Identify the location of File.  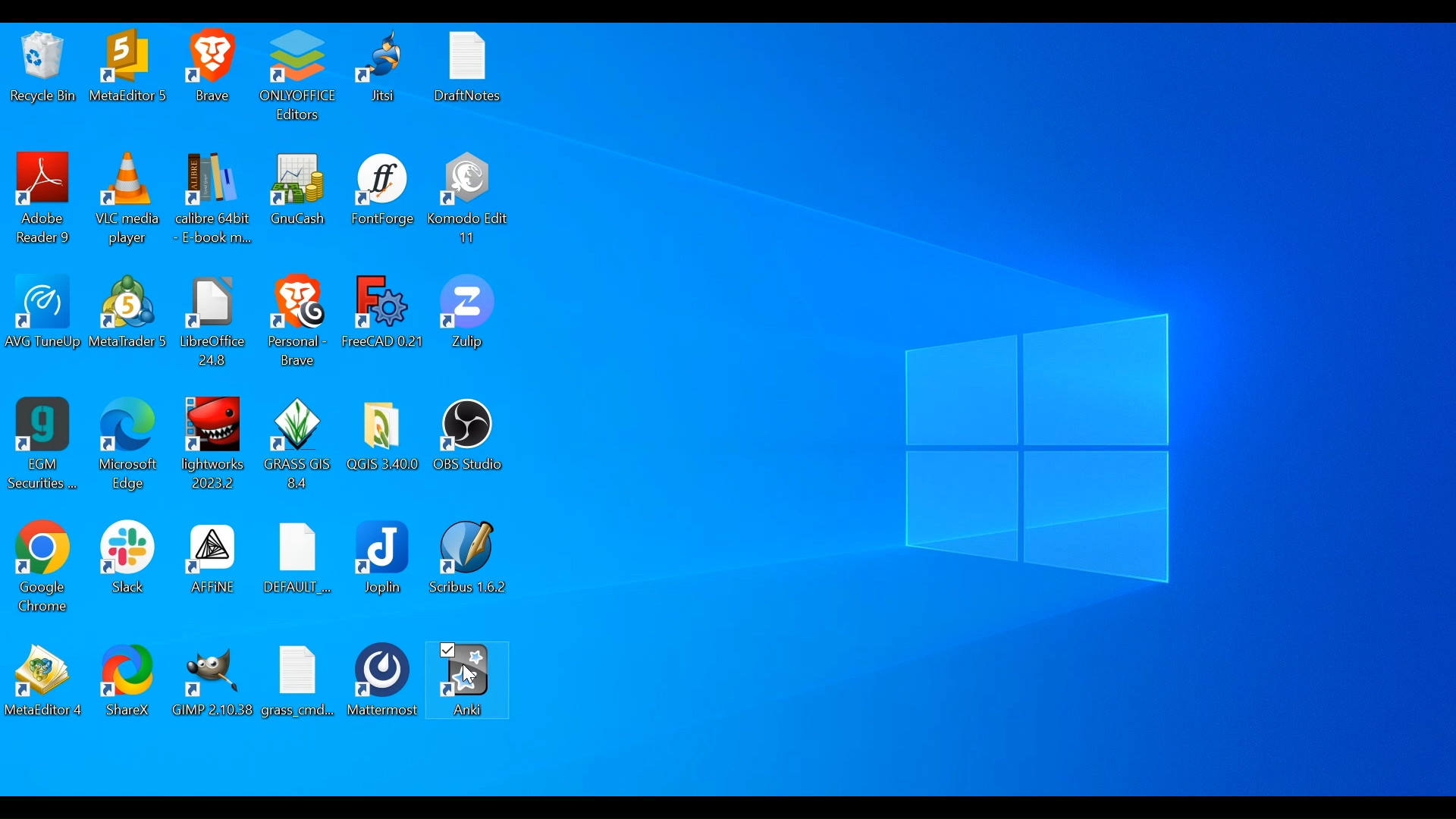
(302, 683).